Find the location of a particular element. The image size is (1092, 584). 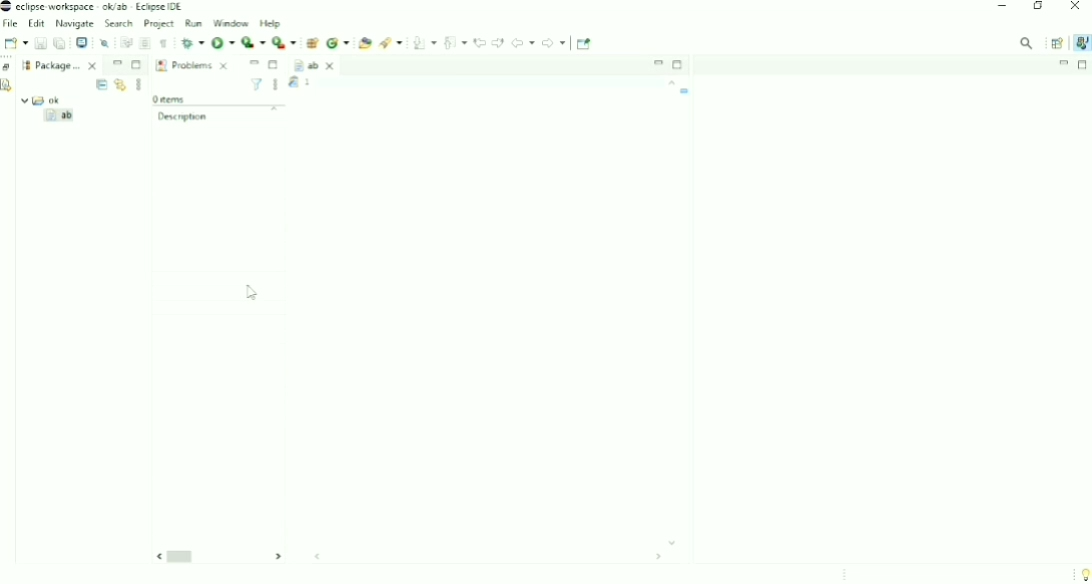

ab is located at coordinates (322, 66).